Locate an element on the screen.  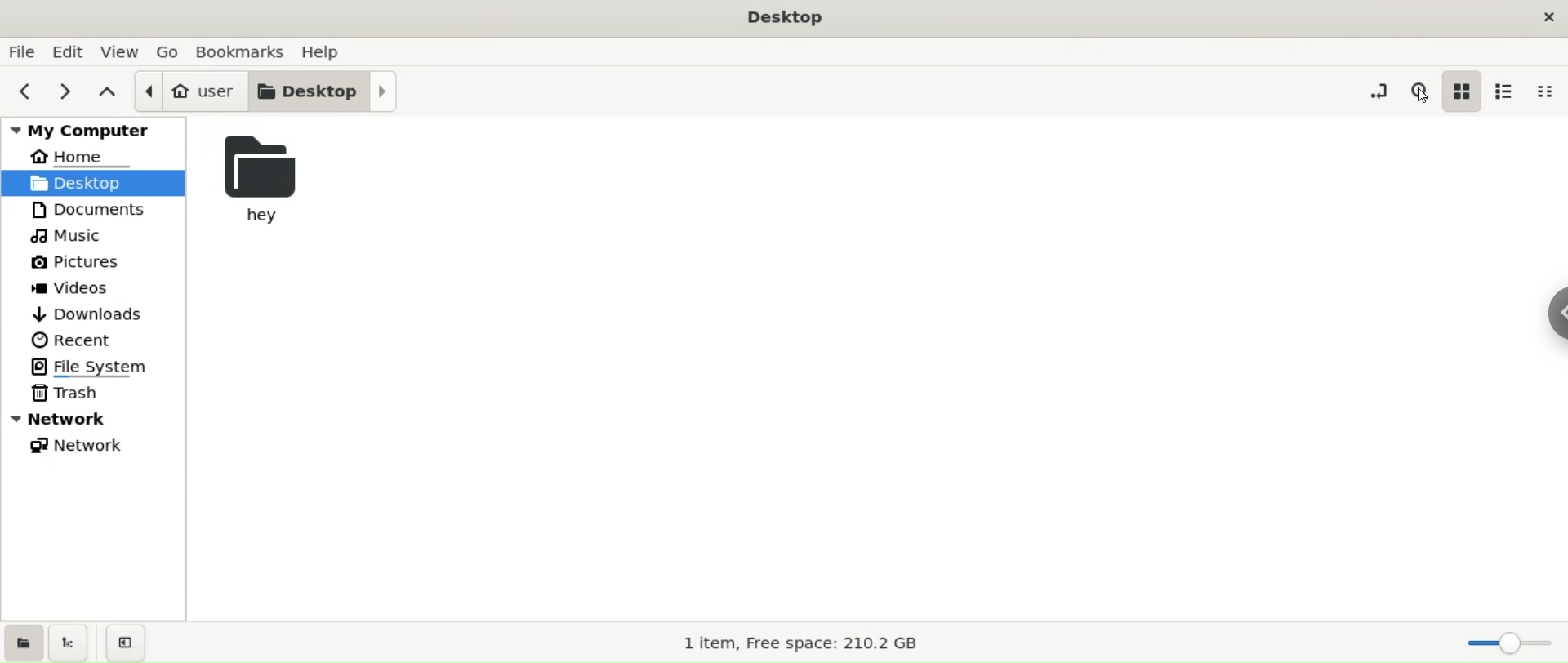
show places is located at coordinates (23, 642).